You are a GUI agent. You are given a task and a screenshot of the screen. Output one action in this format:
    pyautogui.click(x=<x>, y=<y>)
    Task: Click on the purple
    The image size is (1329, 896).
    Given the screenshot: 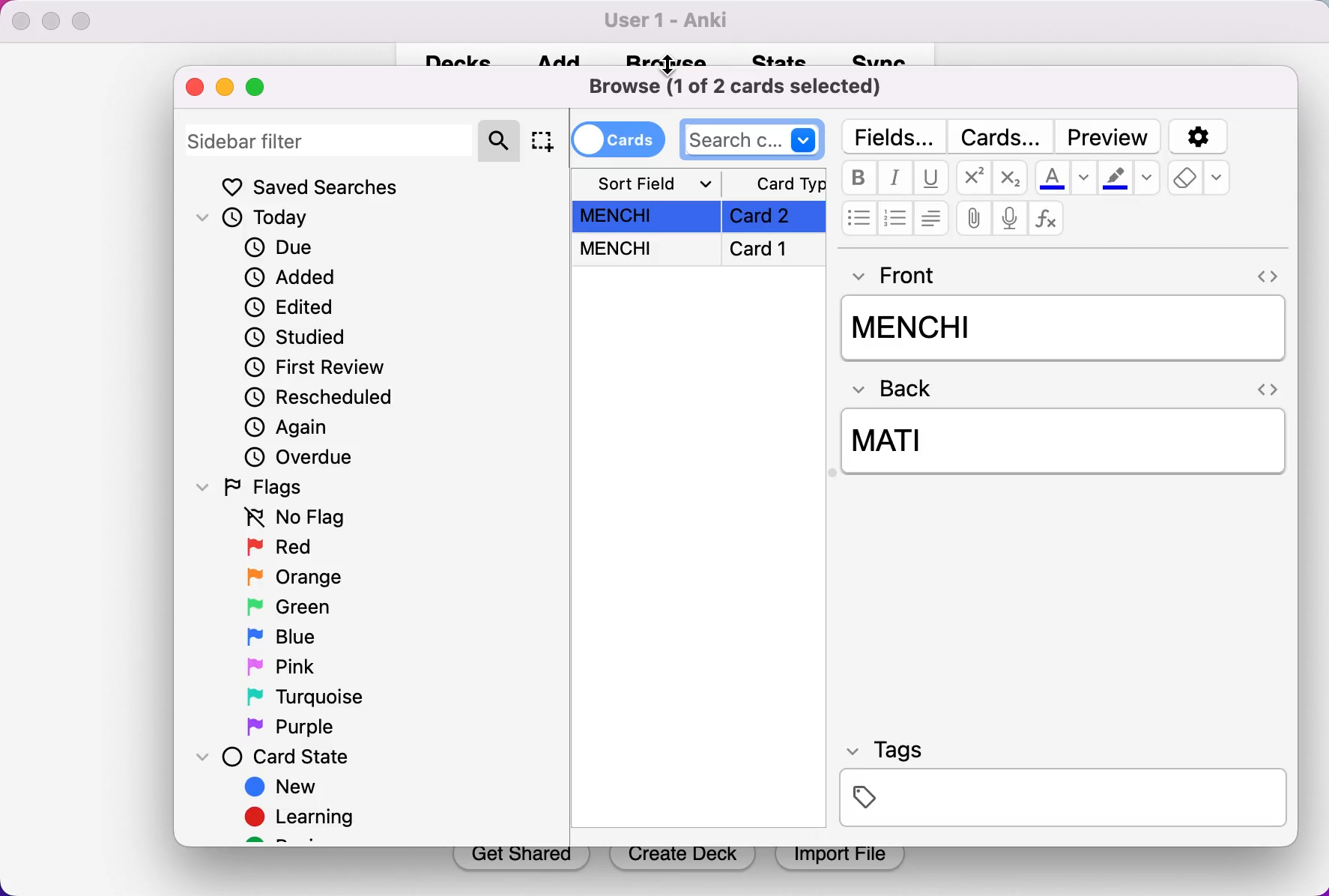 What is the action you would take?
    pyautogui.click(x=295, y=727)
    